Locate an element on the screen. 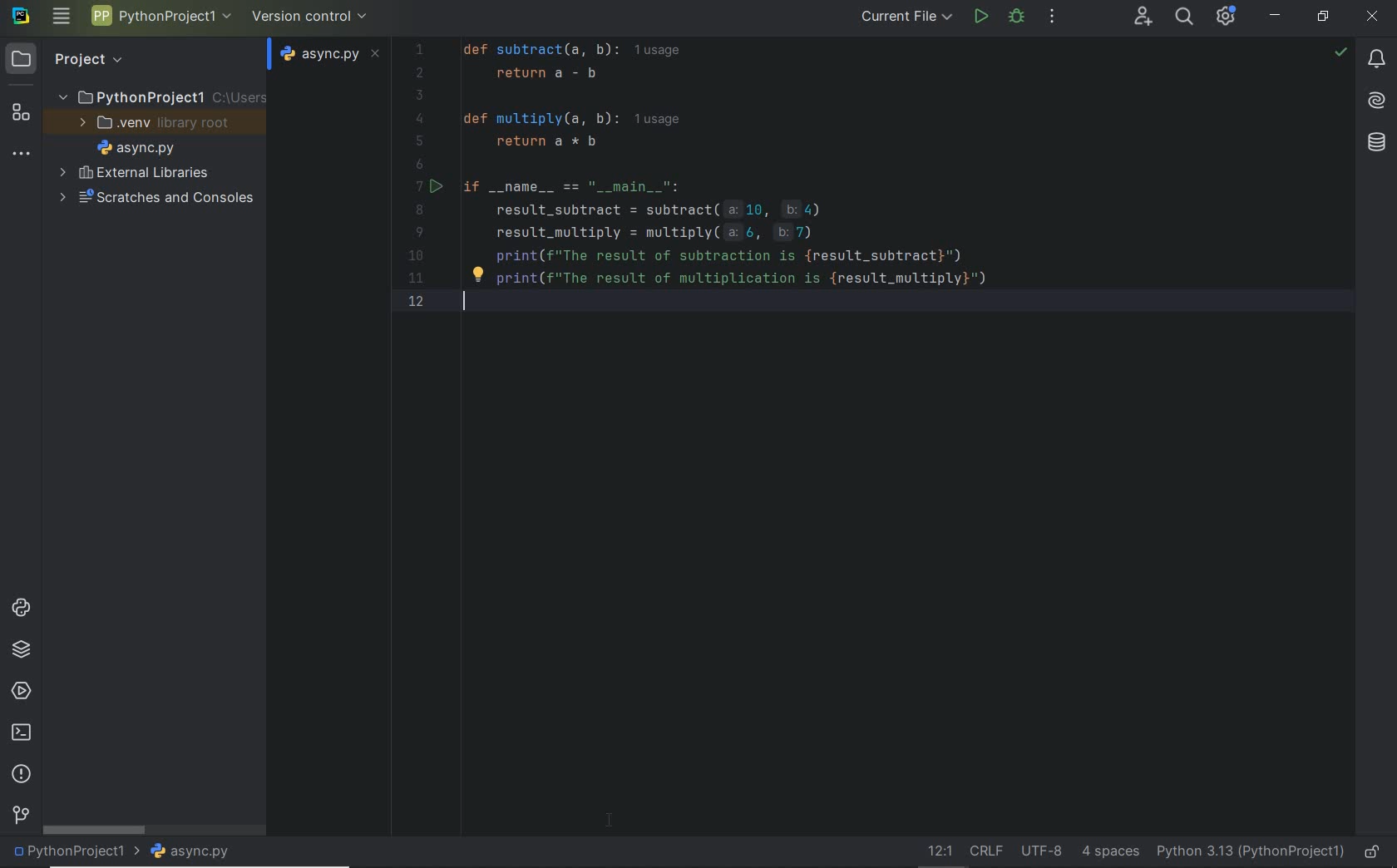  current file is located at coordinates (906, 17).